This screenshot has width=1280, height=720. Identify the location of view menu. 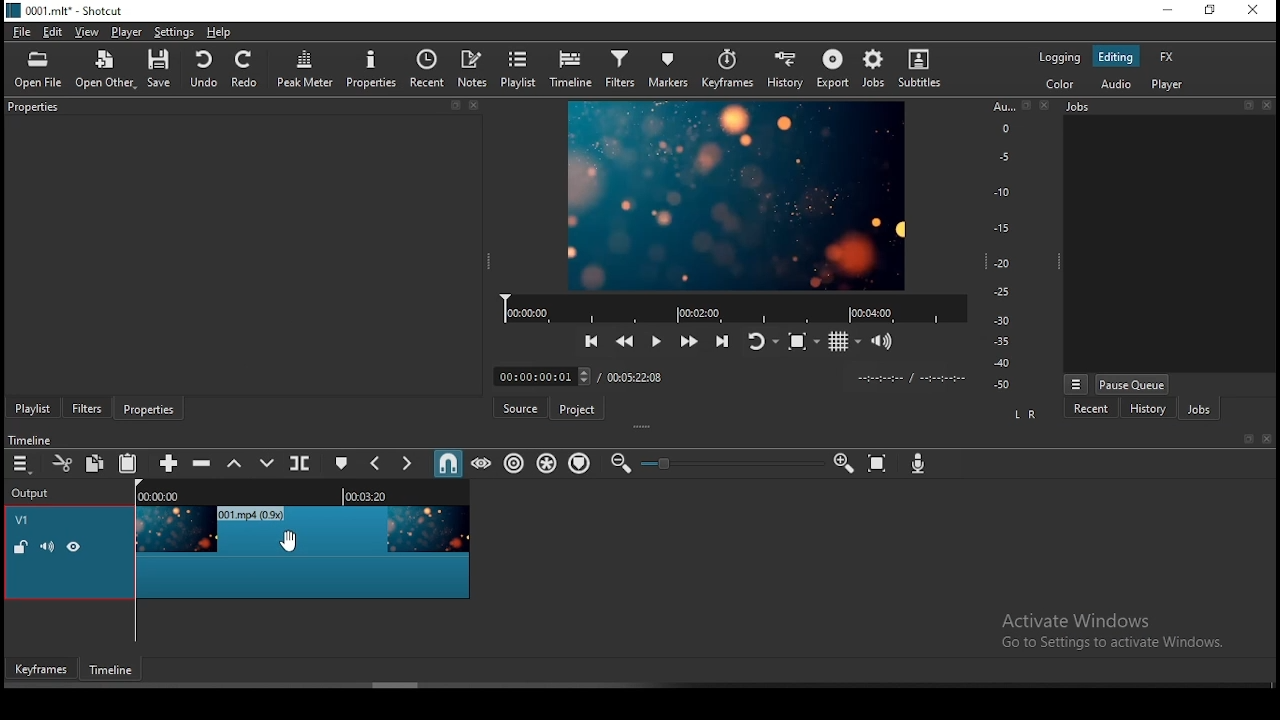
(1076, 384).